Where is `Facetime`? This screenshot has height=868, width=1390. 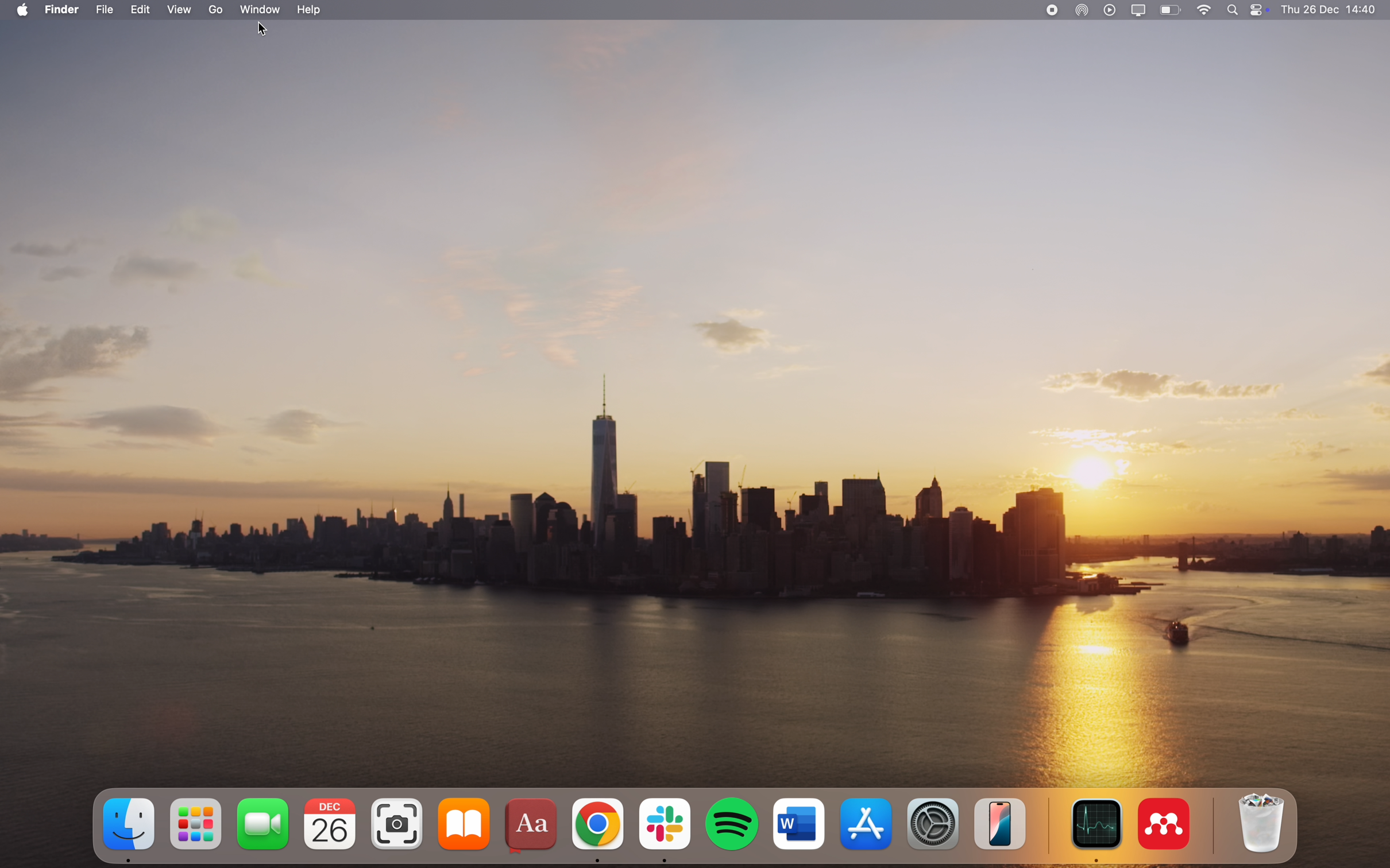 Facetime is located at coordinates (262, 826).